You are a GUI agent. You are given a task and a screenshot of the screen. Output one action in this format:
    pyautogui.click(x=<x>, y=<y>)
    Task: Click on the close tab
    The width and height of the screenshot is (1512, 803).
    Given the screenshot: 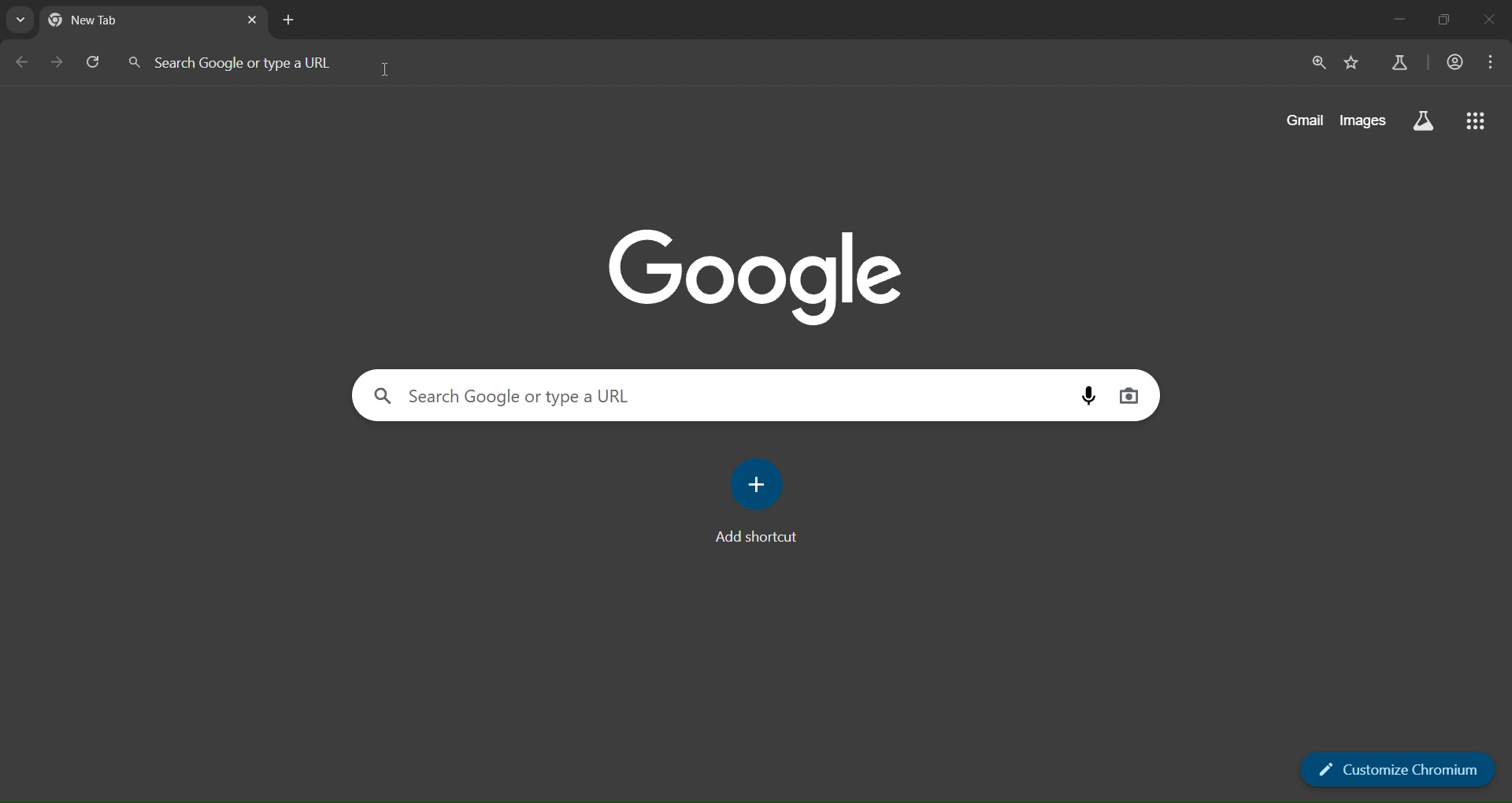 What is the action you would take?
    pyautogui.click(x=251, y=19)
    